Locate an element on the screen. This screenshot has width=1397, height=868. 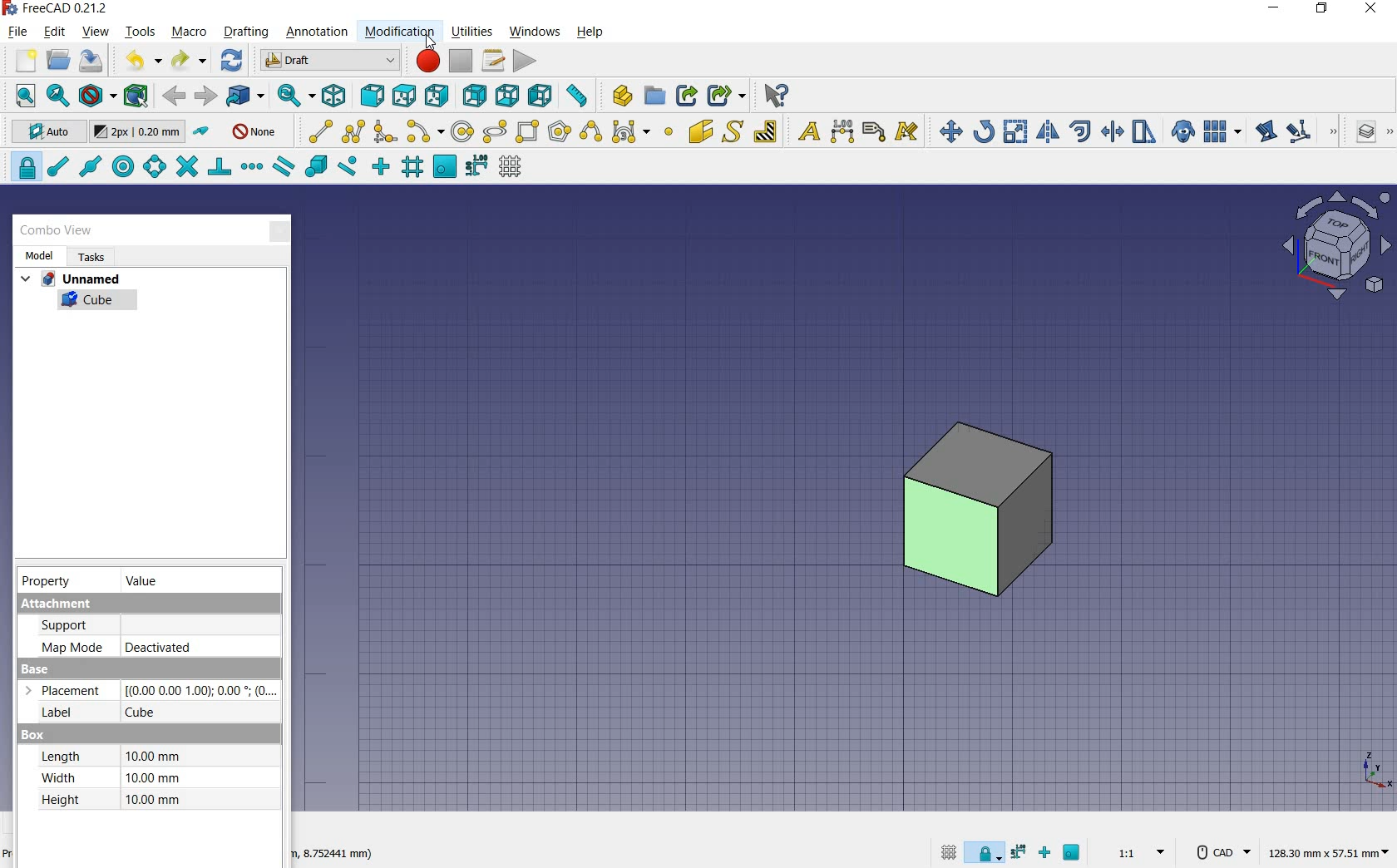
Base is located at coordinates (37, 669).